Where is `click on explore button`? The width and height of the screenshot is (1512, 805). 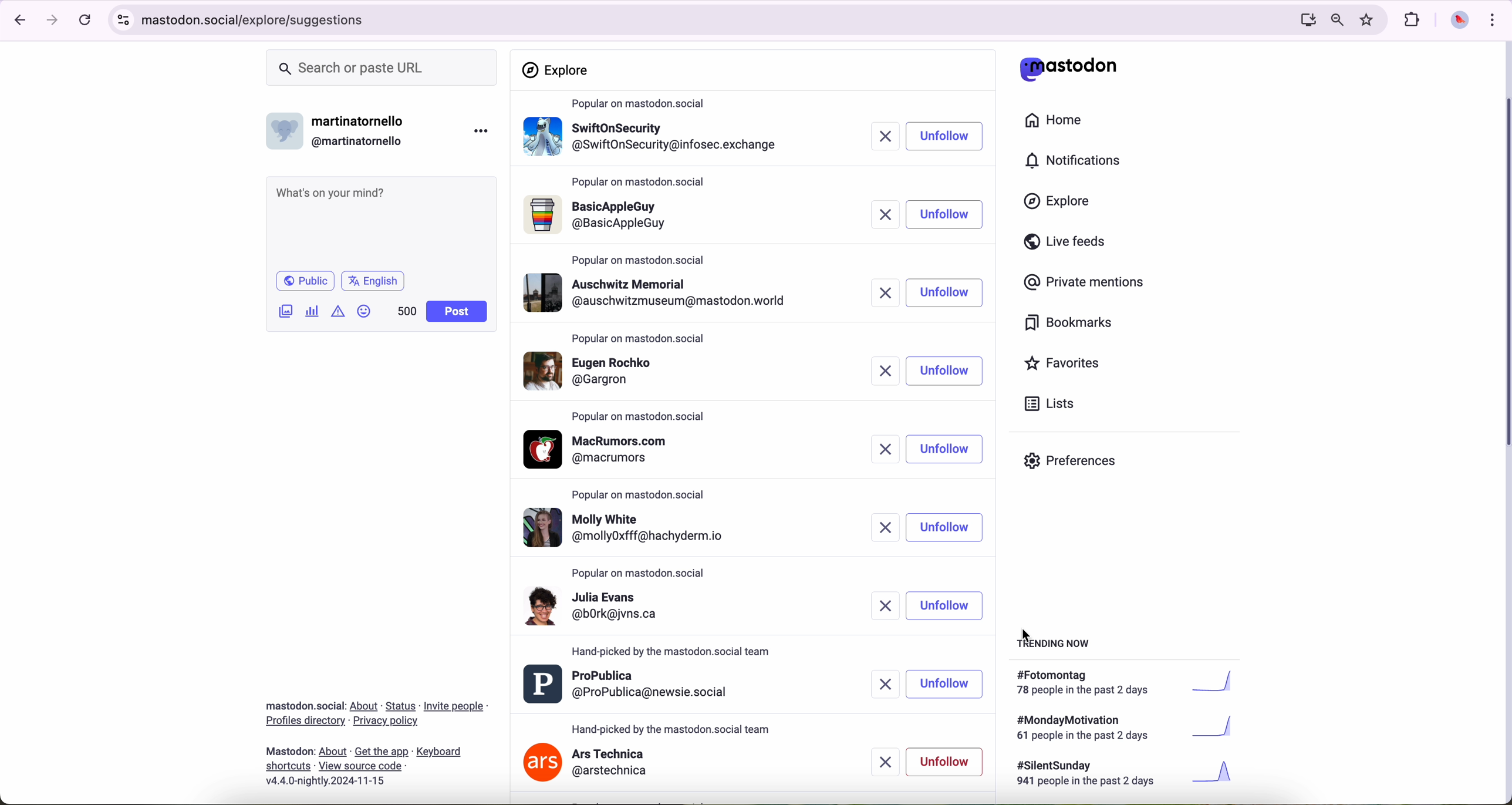 click on explore button is located at coordinates (1060, 207).